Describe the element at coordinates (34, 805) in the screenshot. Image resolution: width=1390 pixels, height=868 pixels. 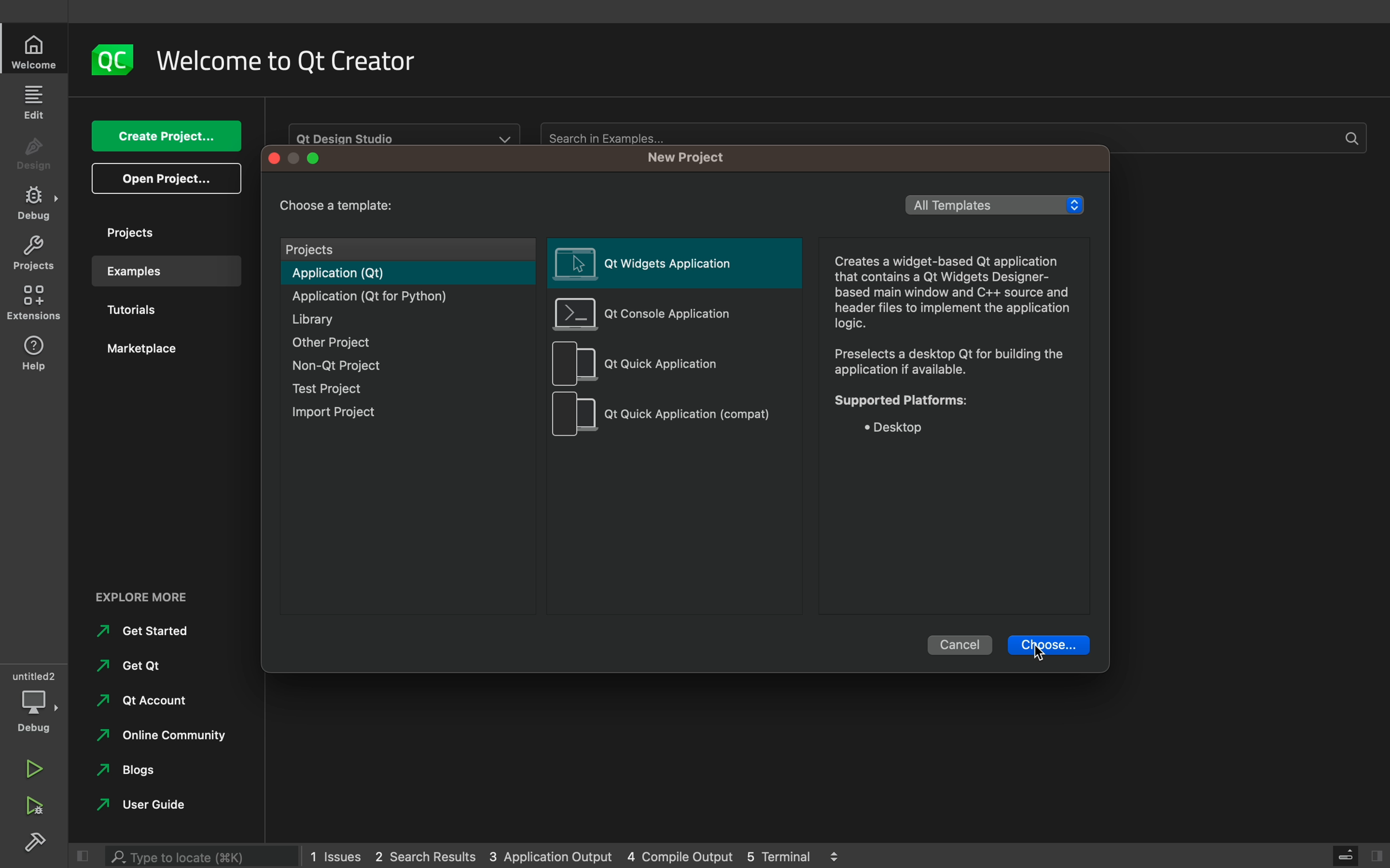
I see `debug and run` at that location.